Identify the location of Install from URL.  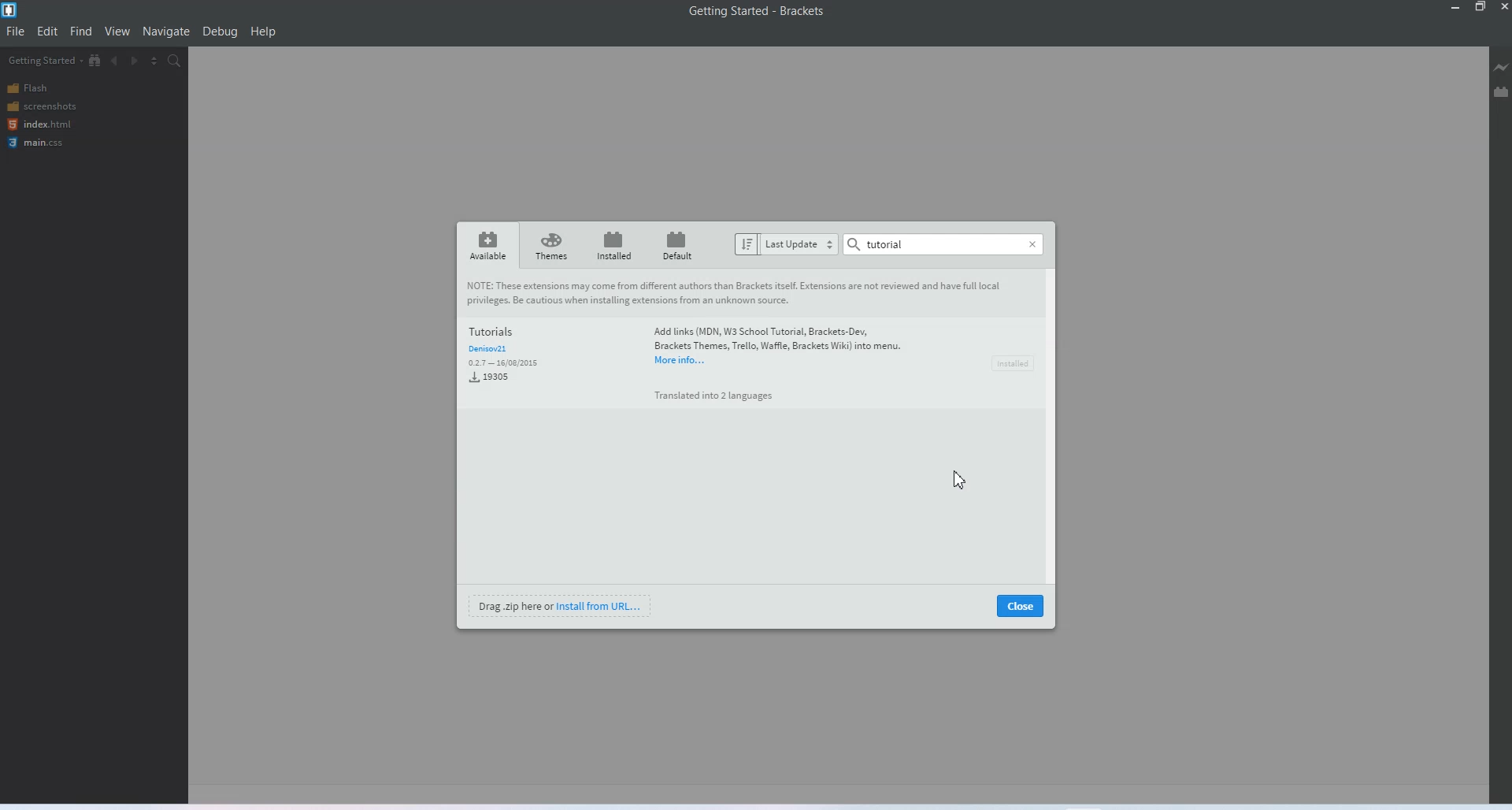
(561, 605).